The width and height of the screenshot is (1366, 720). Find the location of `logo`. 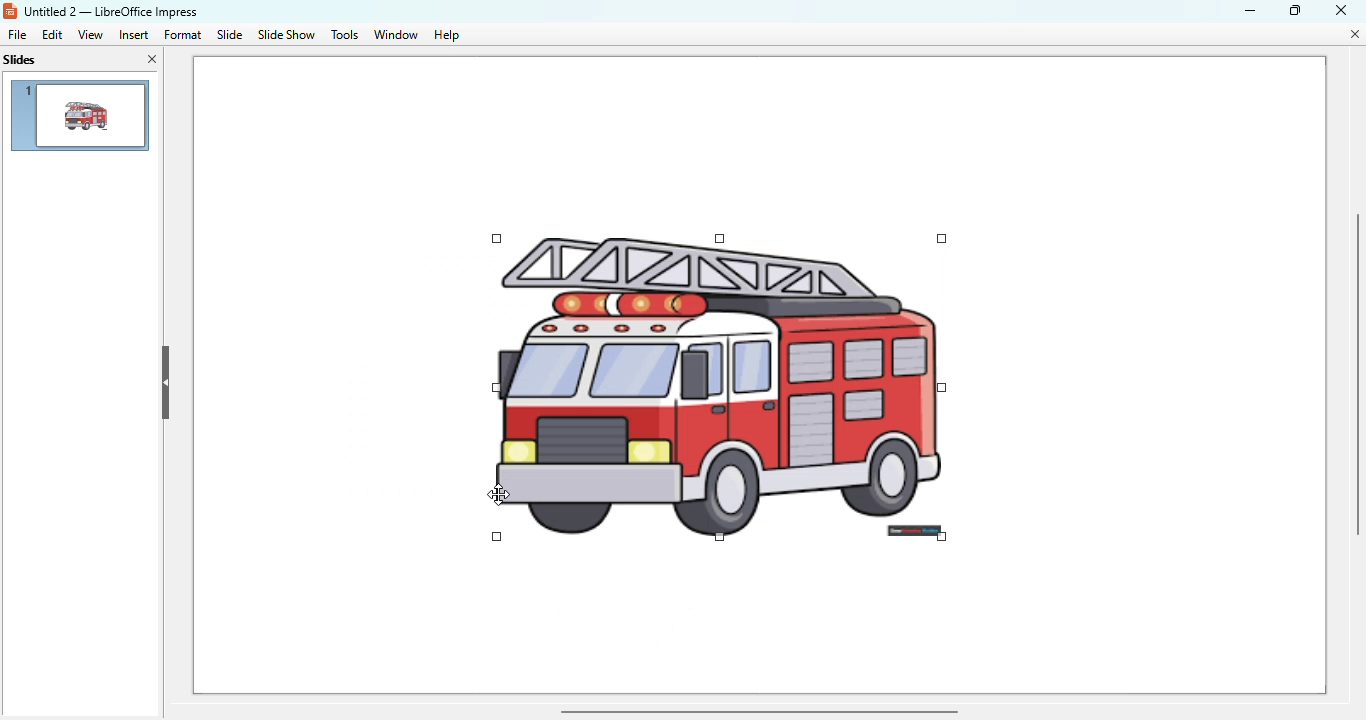

logo is located at coordinates (9, 11).